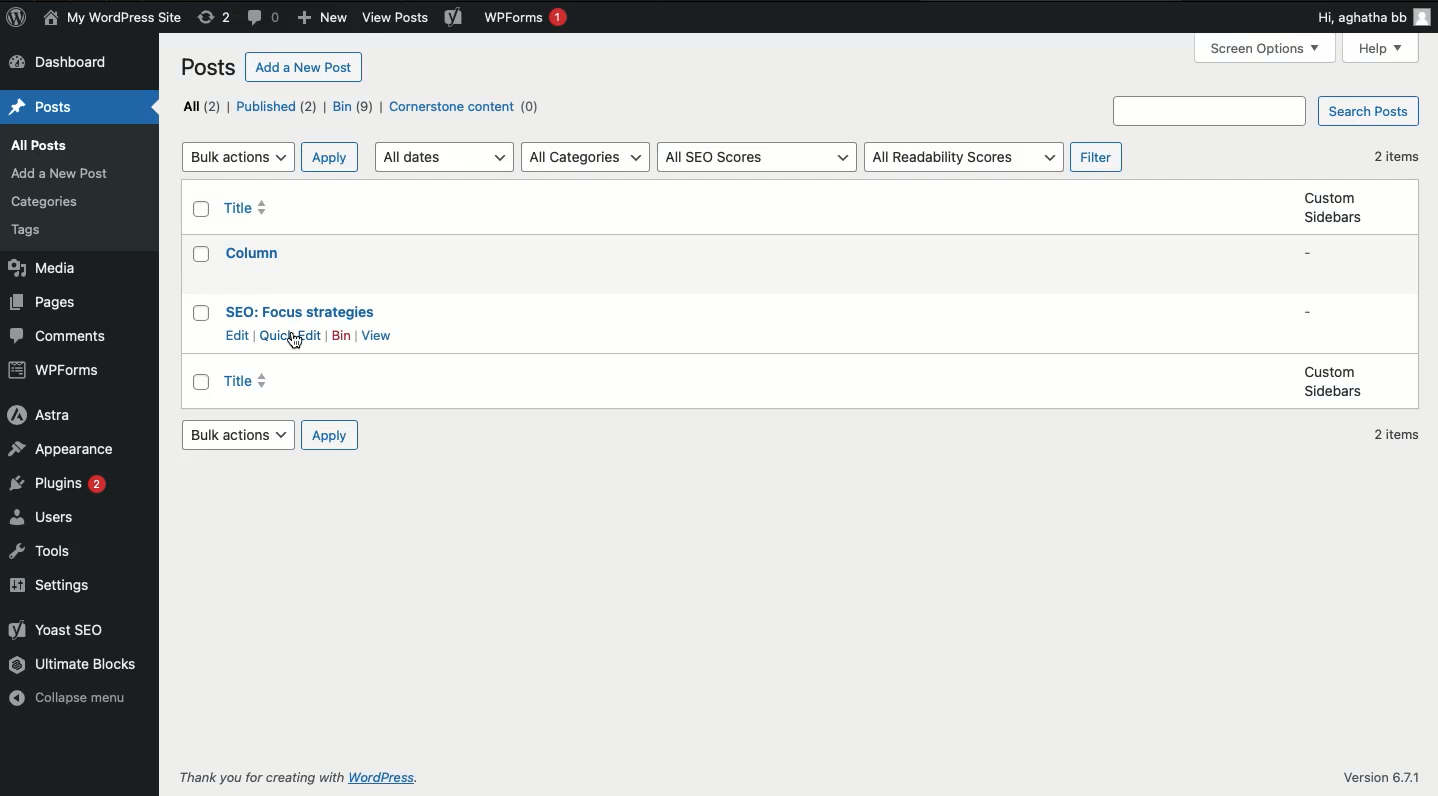 The height and width of the screenshot is (796, 1438). Describe the element at coordinates (295, 341) in the screenshot. I see `cursor` at that location.